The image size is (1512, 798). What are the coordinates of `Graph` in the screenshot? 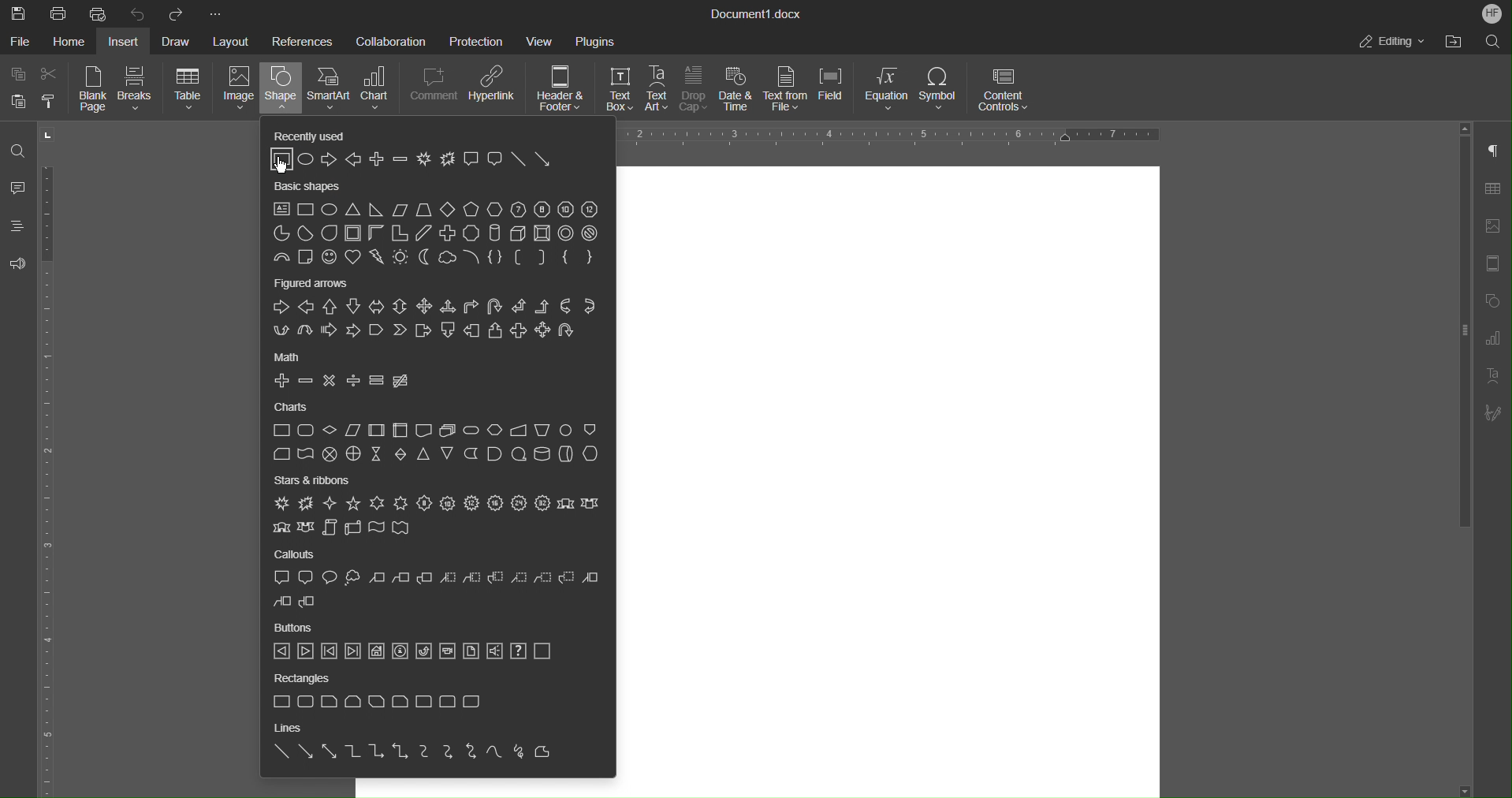 It's located at (1499, 338).